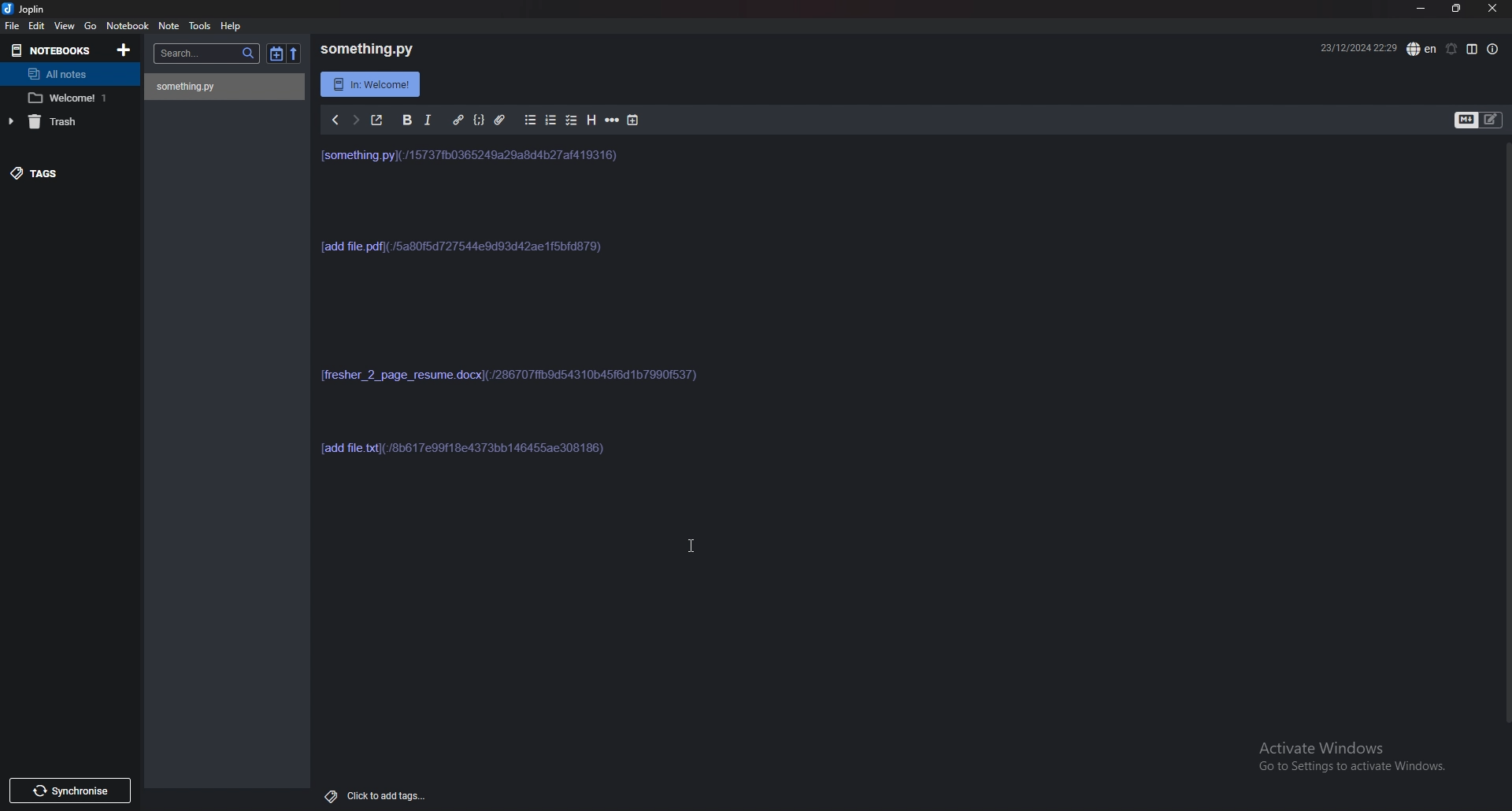 The image size is (1512, 811). Describe the element at coordinates (501, 120) in the screenshot. I see `Attachment` at that location.